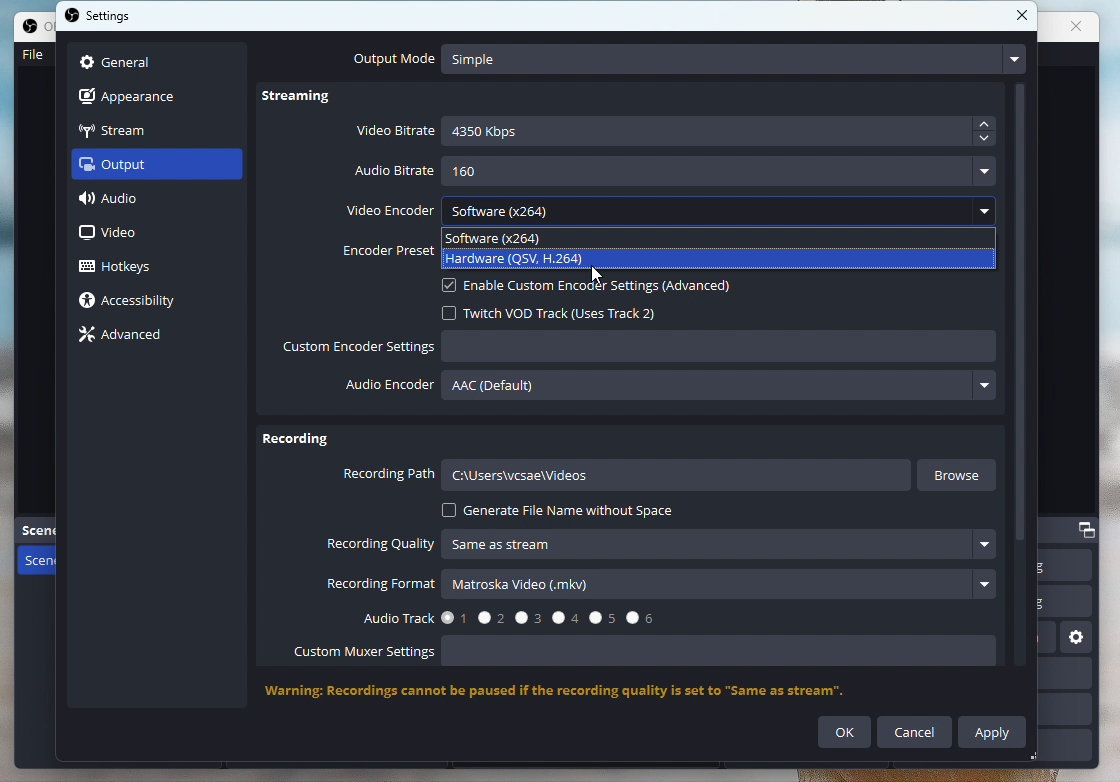  Describe the element at coordinates (685, 59) in the screenshot. I see `Output Mode` at that location.